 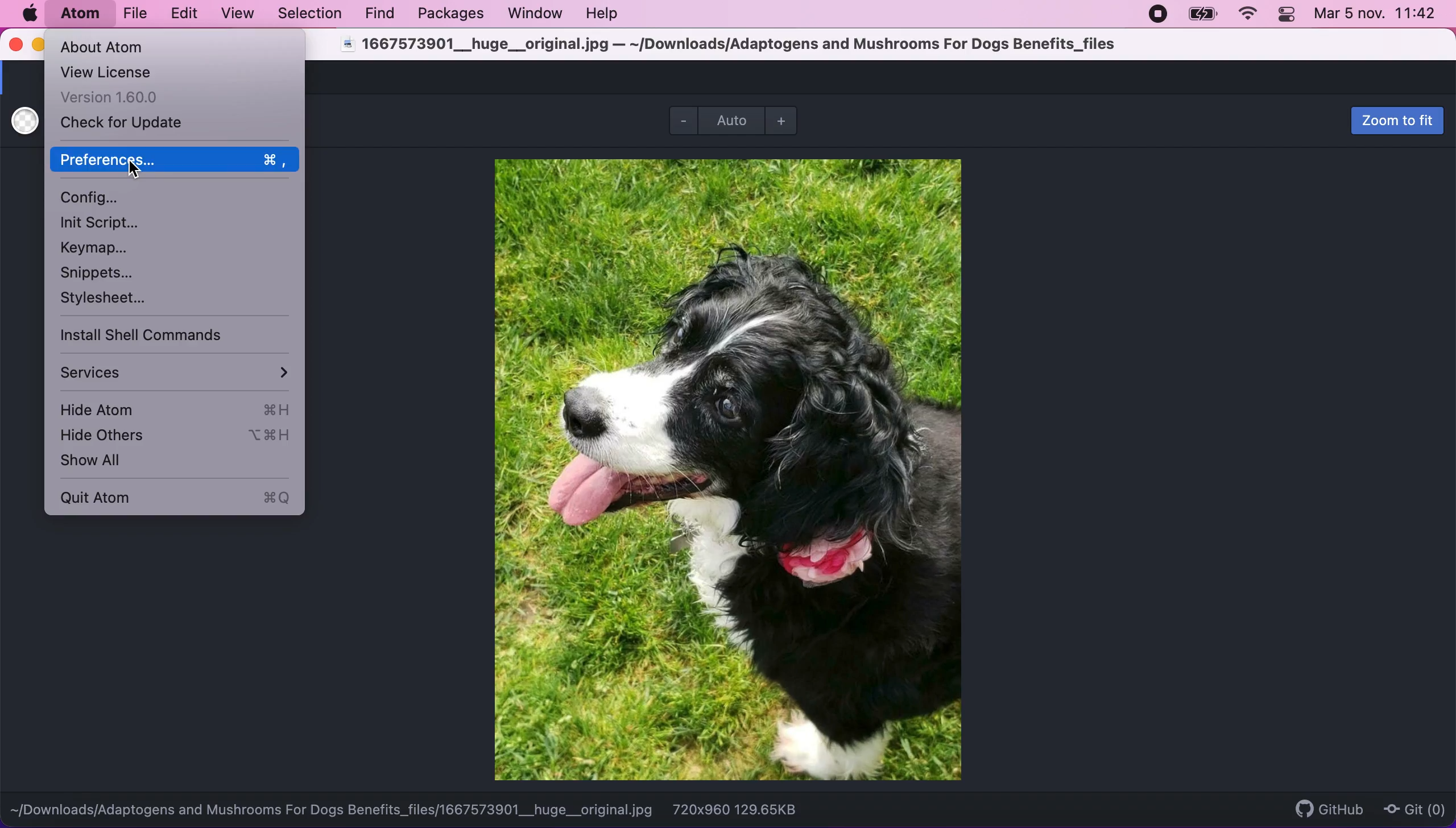 What do you see at coordinates (332, 810) in the screenshot?
I see `~[/Downloads/Adaptogens and Mushrooms For Dogs Benefits_files/1667573901__huge__original.jpg` at bounding box center [332, 810].